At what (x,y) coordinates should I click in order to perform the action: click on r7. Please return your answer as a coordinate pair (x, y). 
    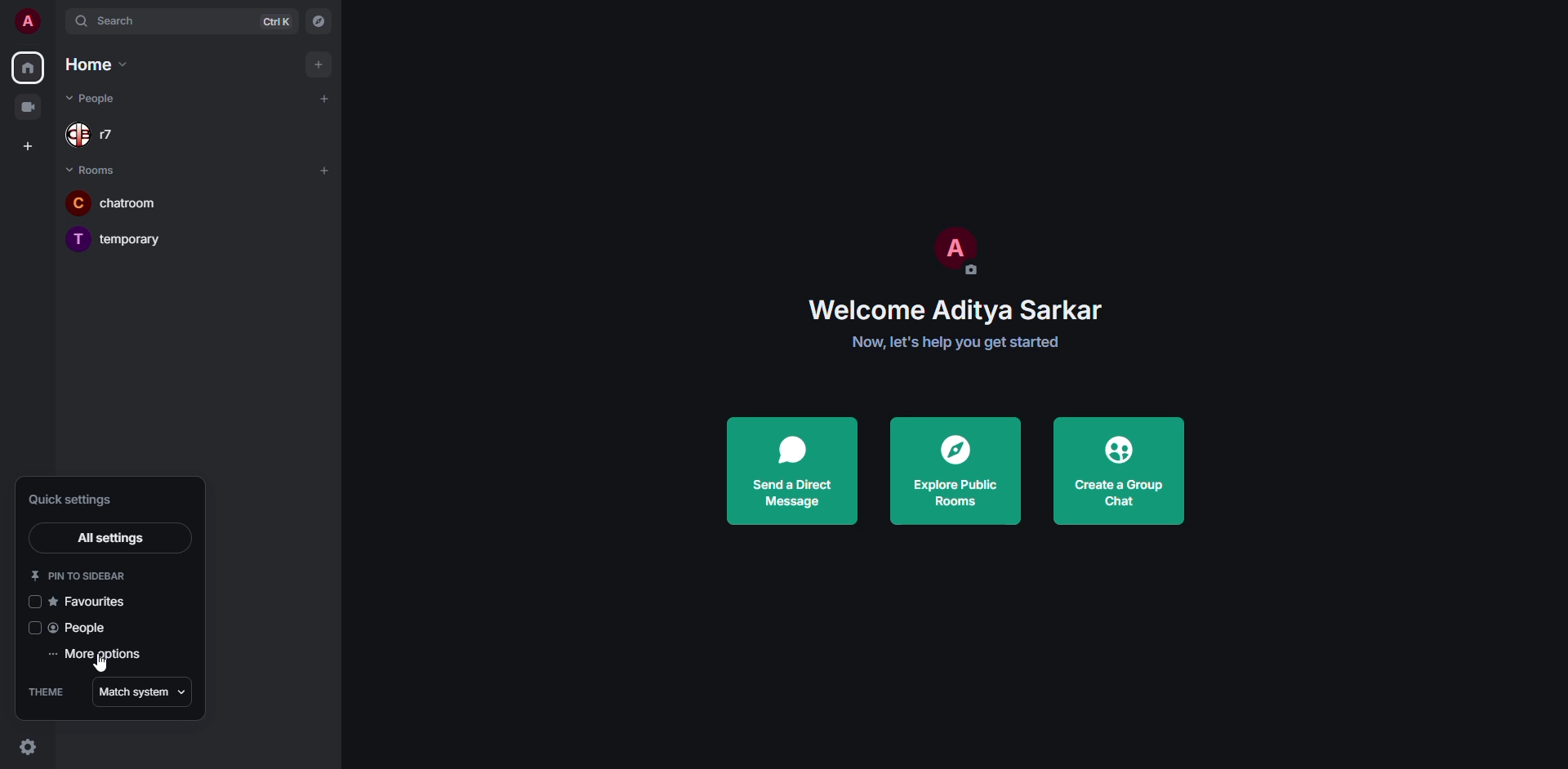
    Looking at the image, I should click on (100, 135).